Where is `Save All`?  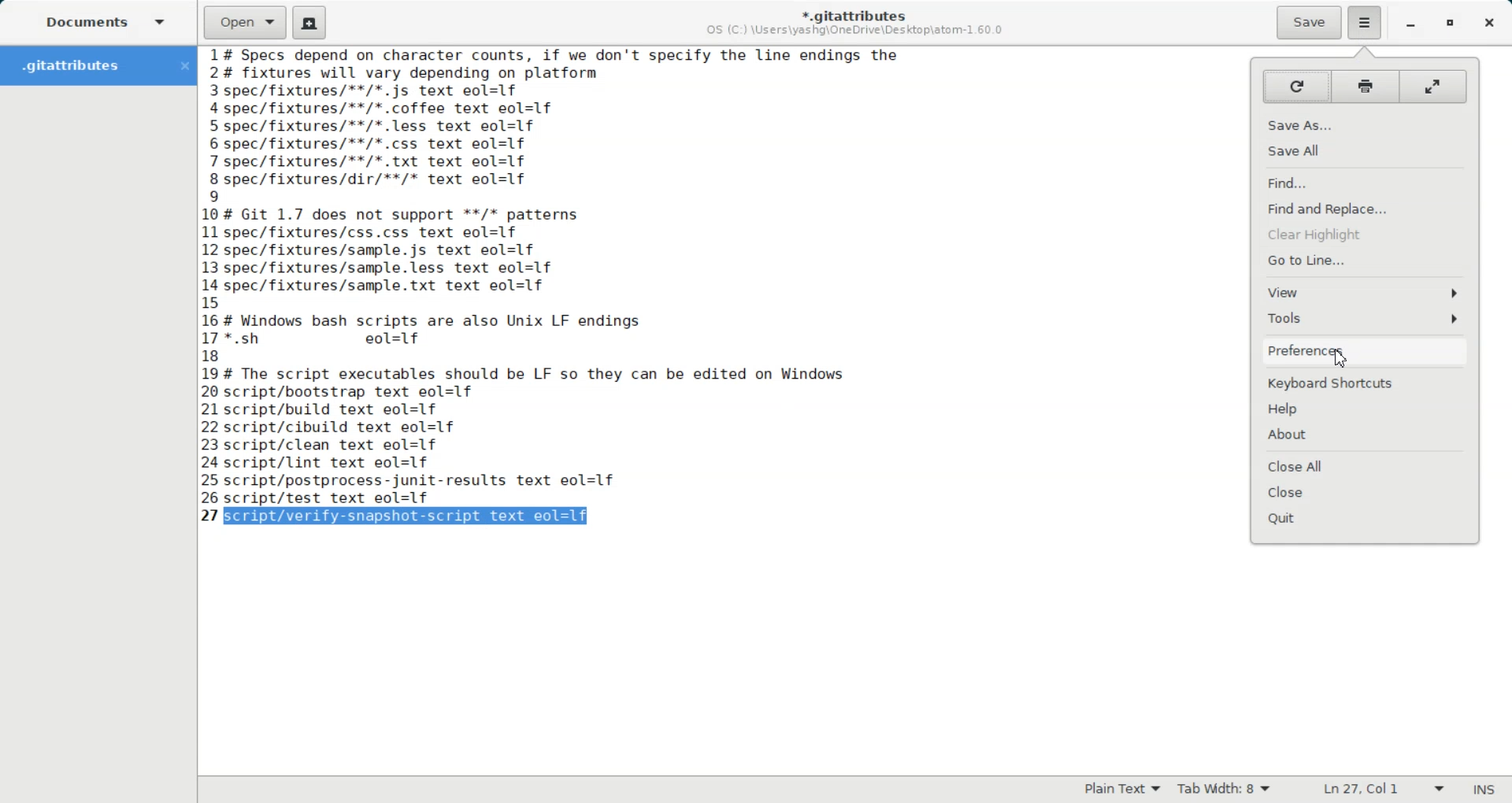 Save All is located at coordinates (1366, 150).